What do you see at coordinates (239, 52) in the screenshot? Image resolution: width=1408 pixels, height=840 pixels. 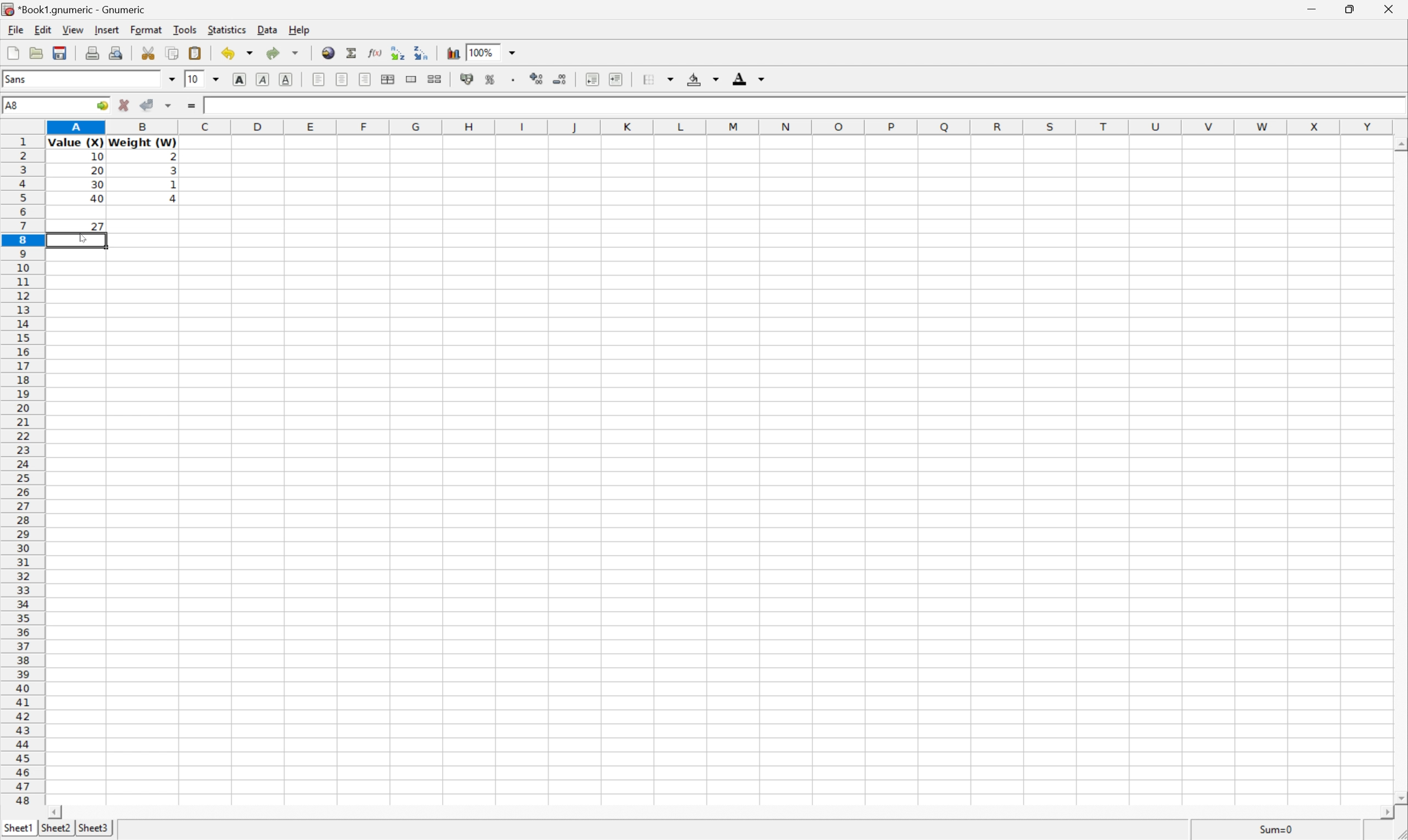 I see `Undo` at bounding box center [239, 52].